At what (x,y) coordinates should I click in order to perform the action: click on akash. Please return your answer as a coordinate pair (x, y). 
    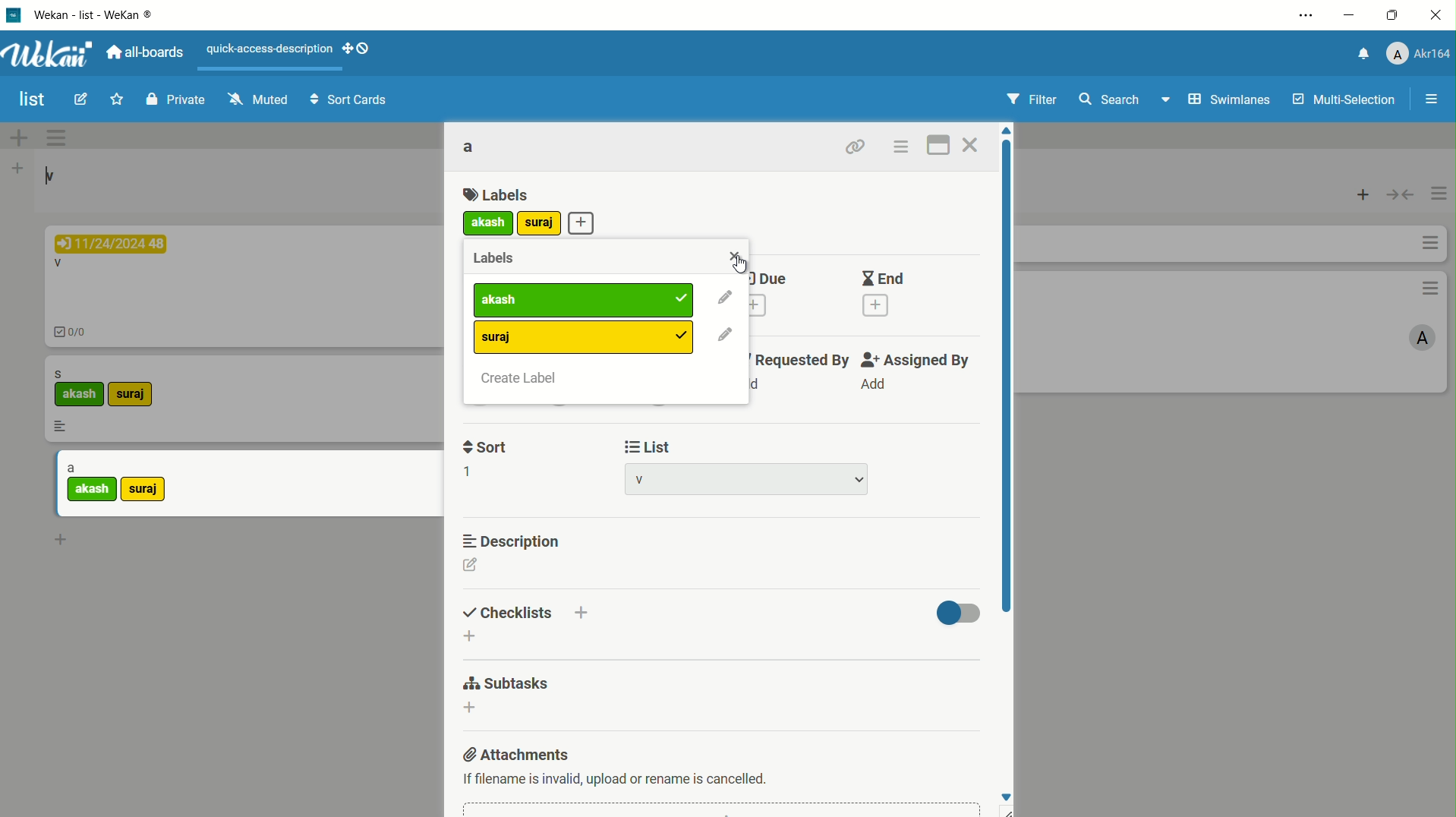
    Looking at the image, I should click on (487, 225).